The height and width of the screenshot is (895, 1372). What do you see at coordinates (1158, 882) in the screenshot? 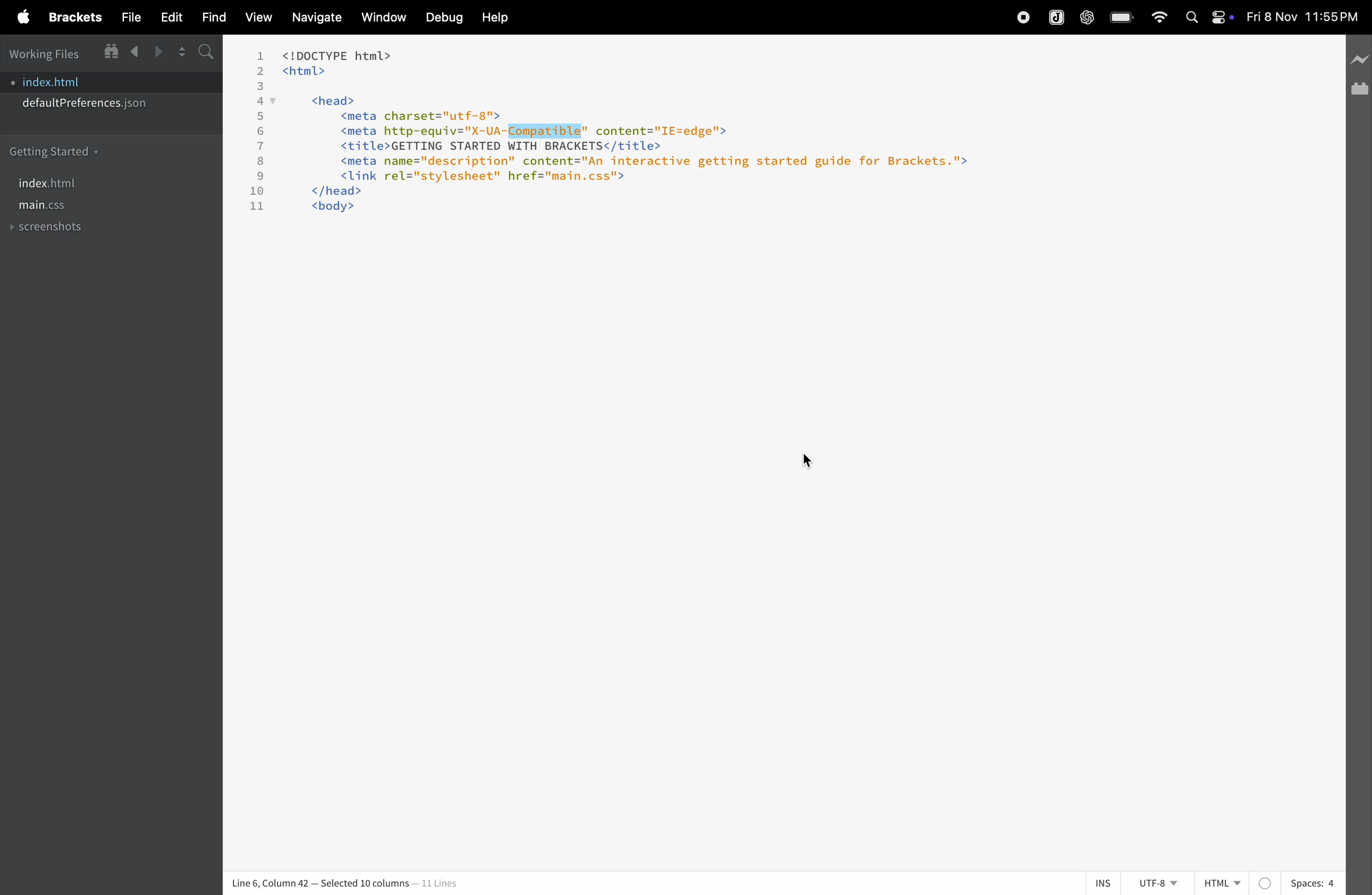
I see `utf-8` at bounding box center [1158, 882].